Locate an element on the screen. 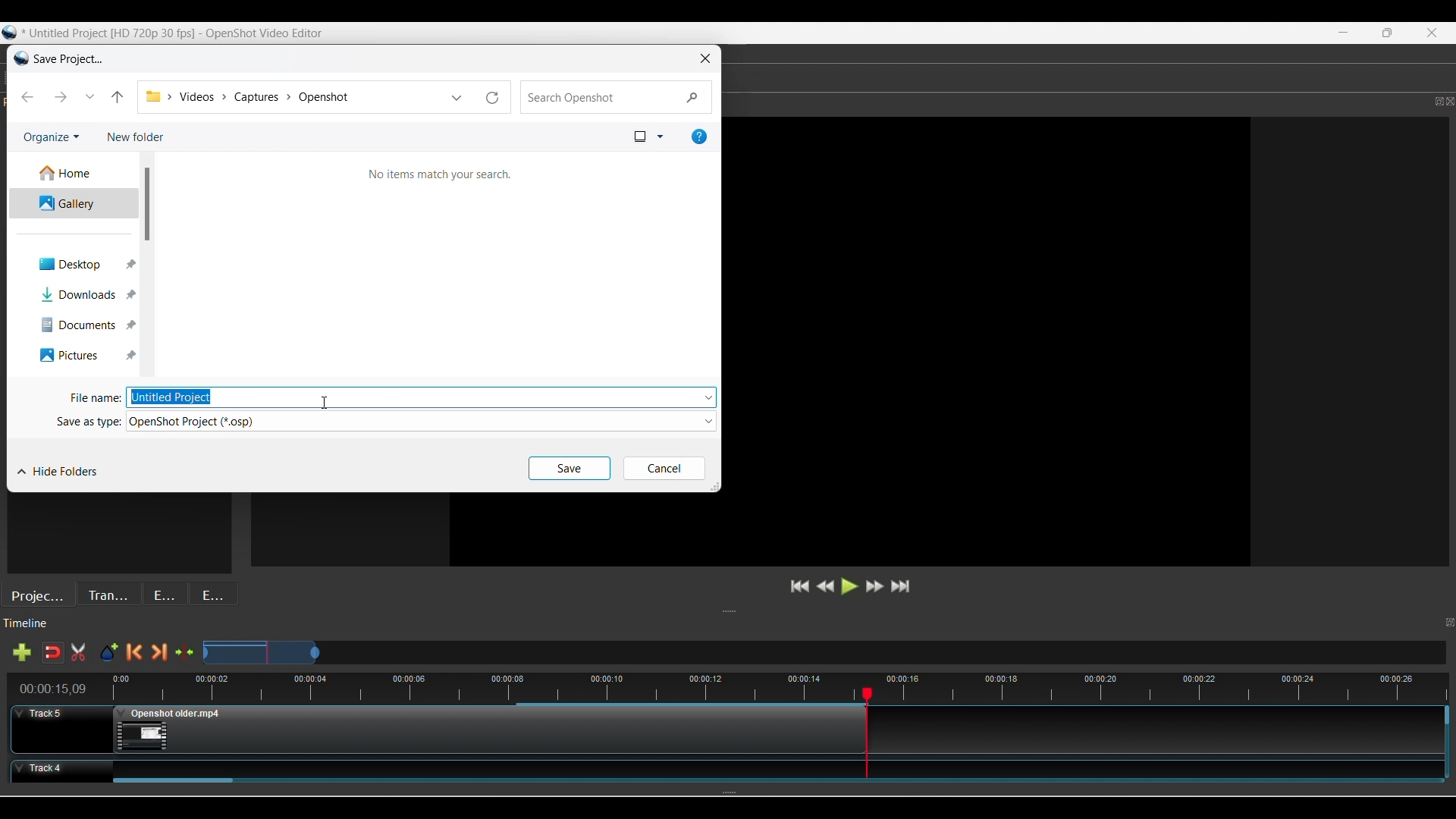  Reload is located at coordinates (493, 97).